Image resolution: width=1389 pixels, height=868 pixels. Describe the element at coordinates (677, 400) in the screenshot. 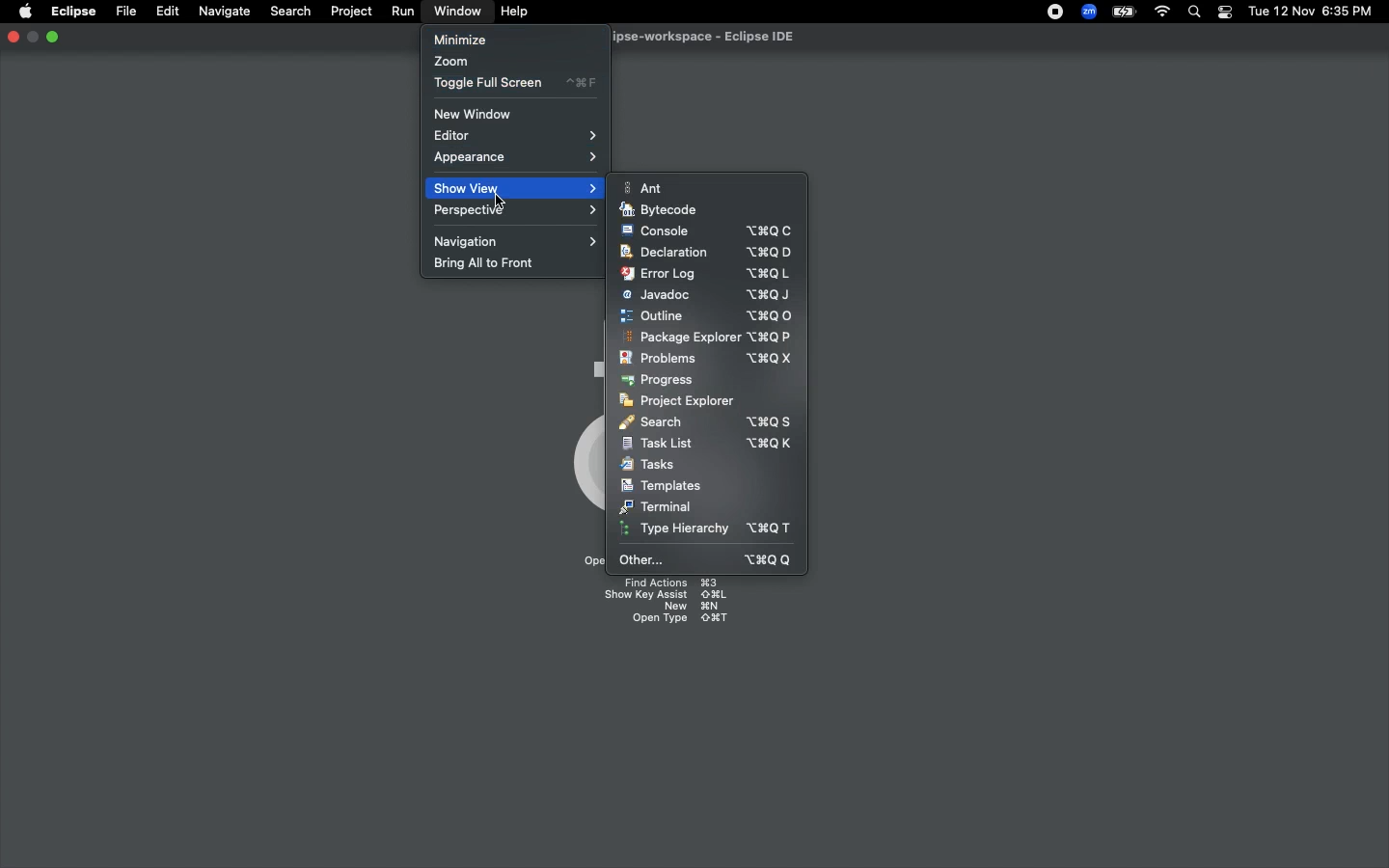

I see `Project explorer` at that location.